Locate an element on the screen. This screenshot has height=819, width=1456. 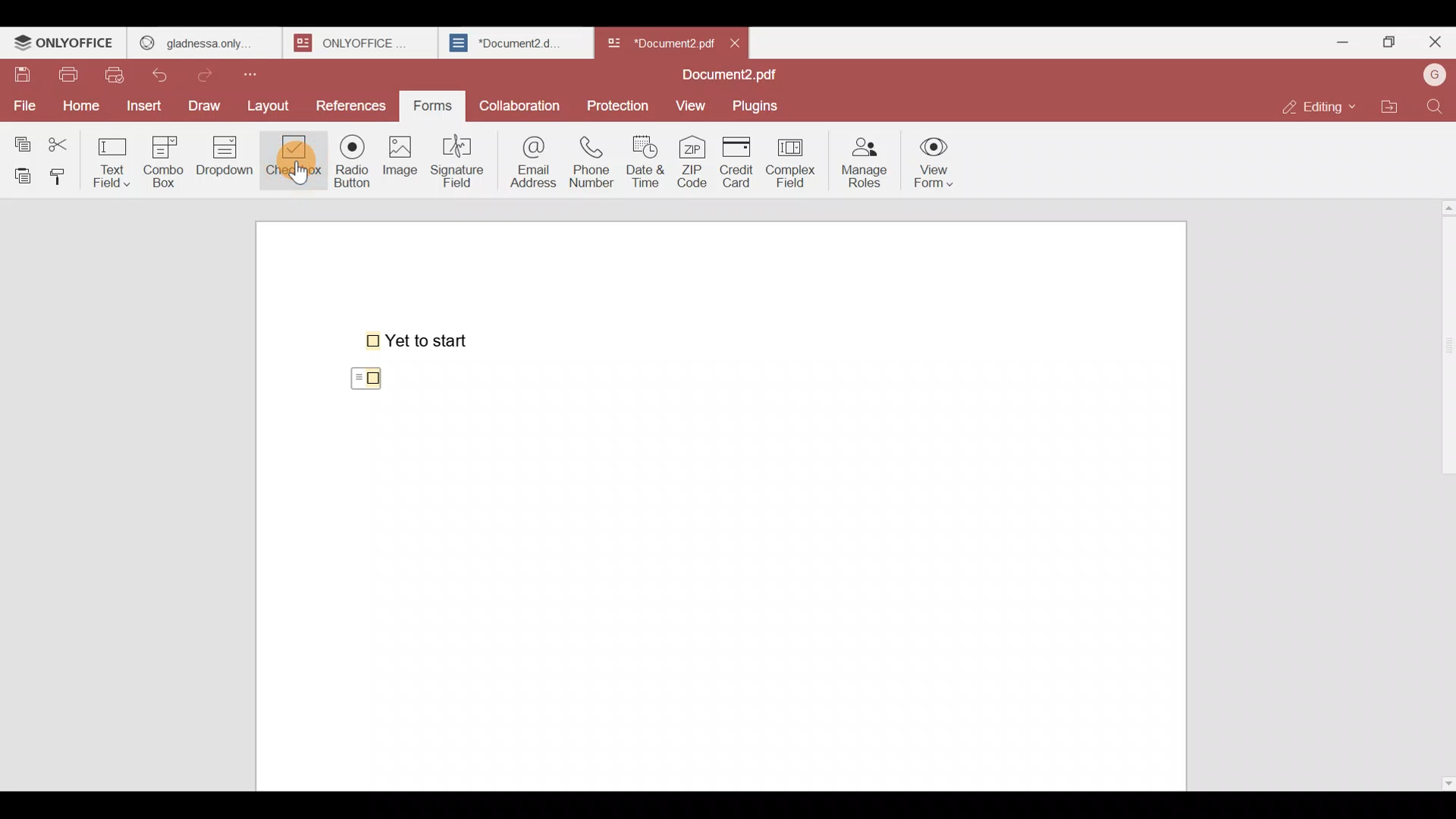
View is located at coordinates (693, 105).